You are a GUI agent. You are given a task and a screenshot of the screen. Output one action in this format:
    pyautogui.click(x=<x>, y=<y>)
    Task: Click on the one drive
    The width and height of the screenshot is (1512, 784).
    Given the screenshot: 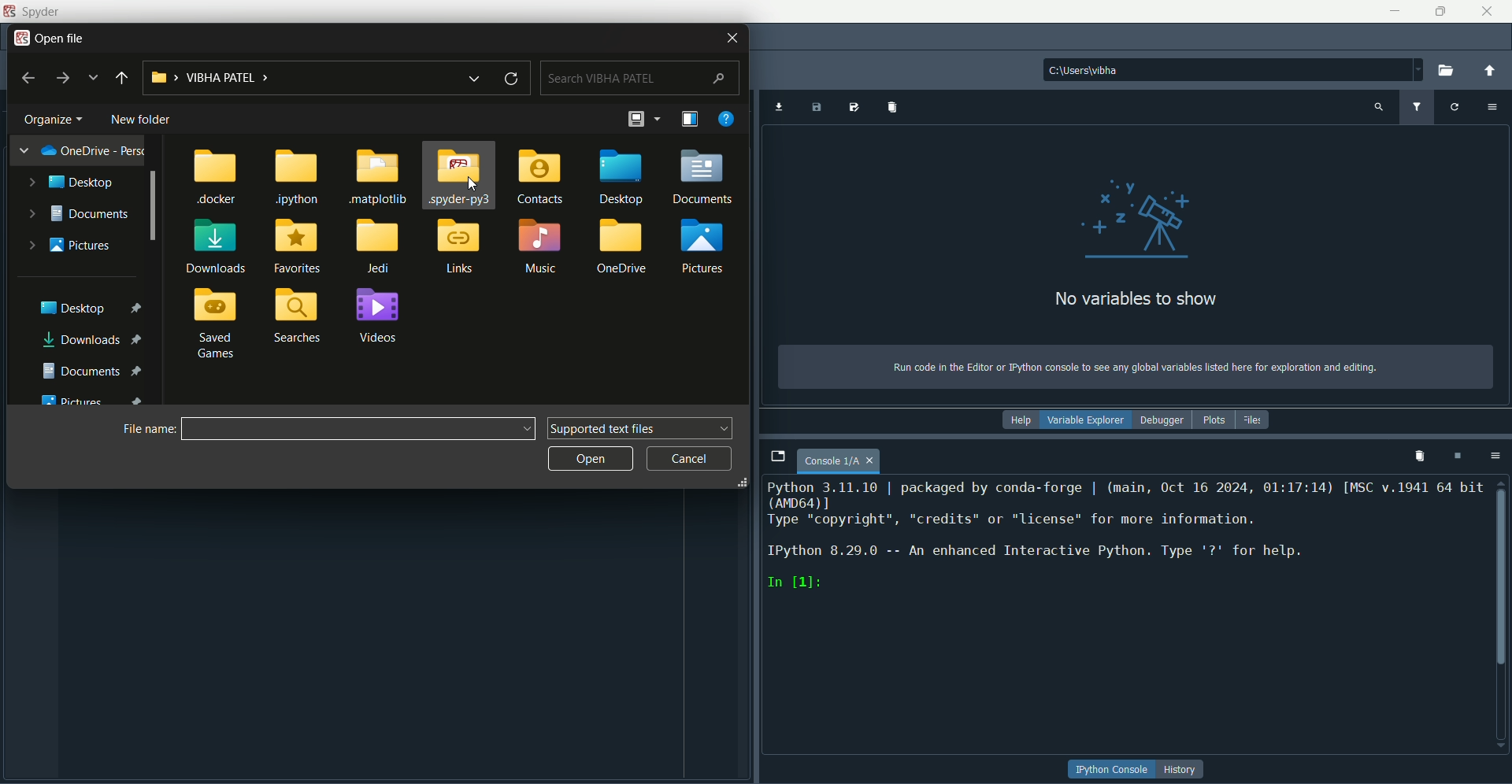 What is the action you would take?
    pyautogui.click(x=84, y=150)
    